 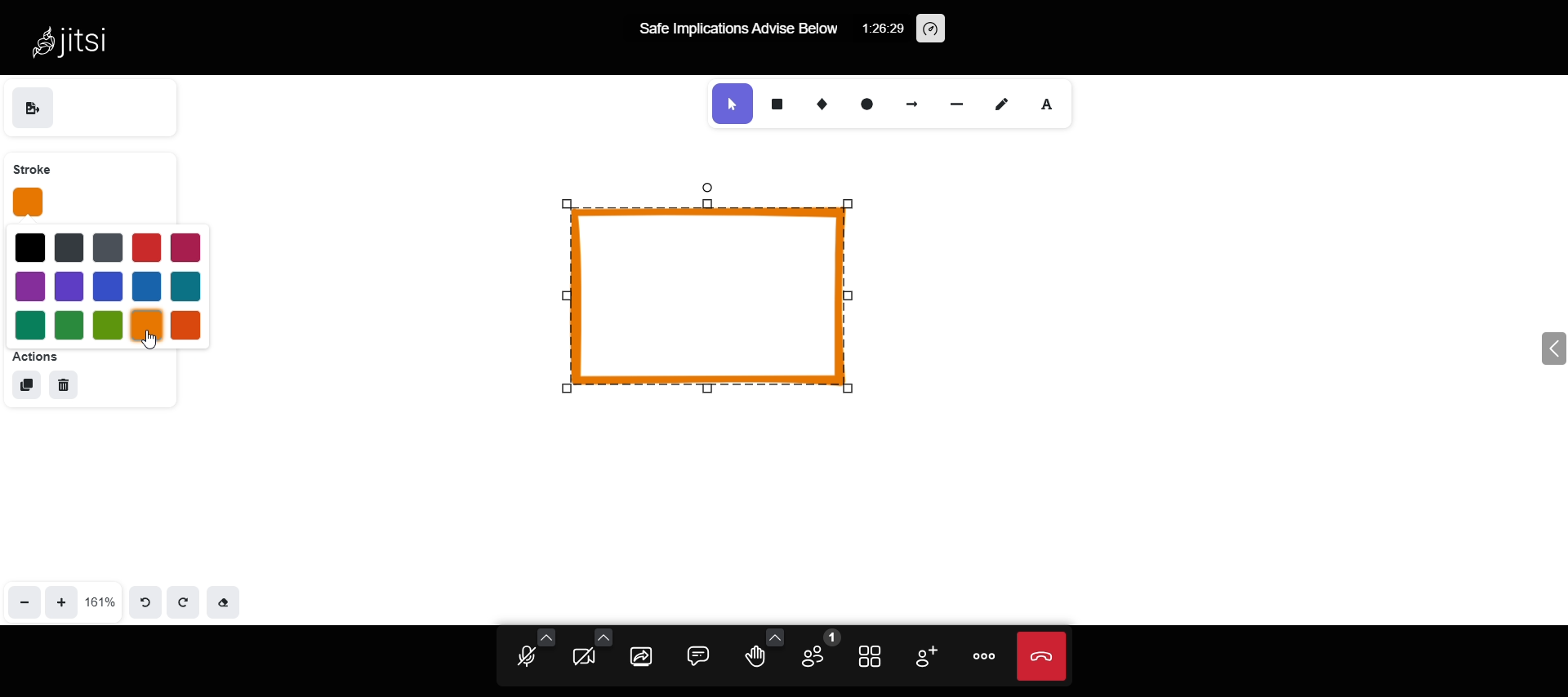 I want to click on zoom out, so click(x=20, y=604).